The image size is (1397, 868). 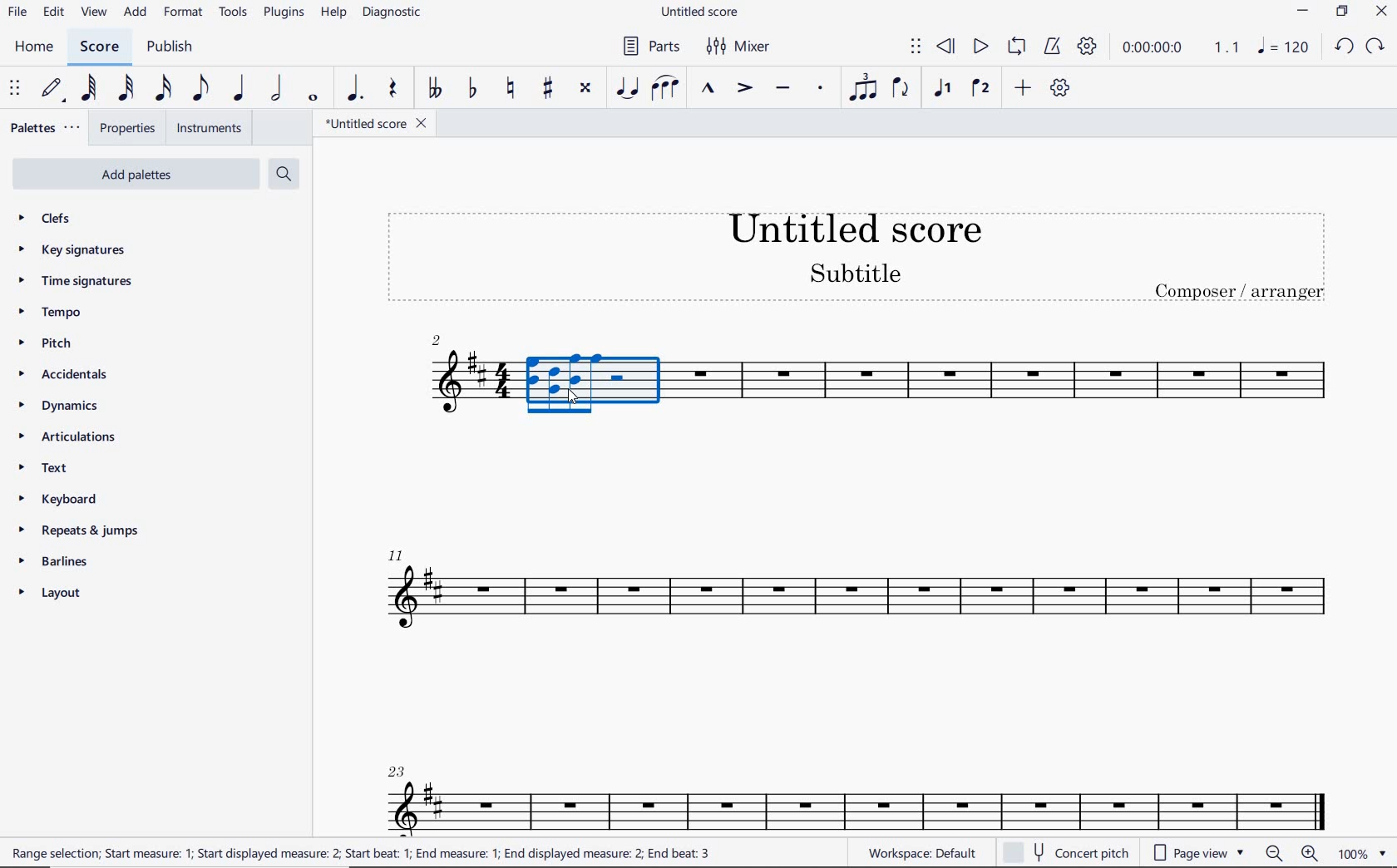 I want to click on TEMPO, so click(x=49, y=313).